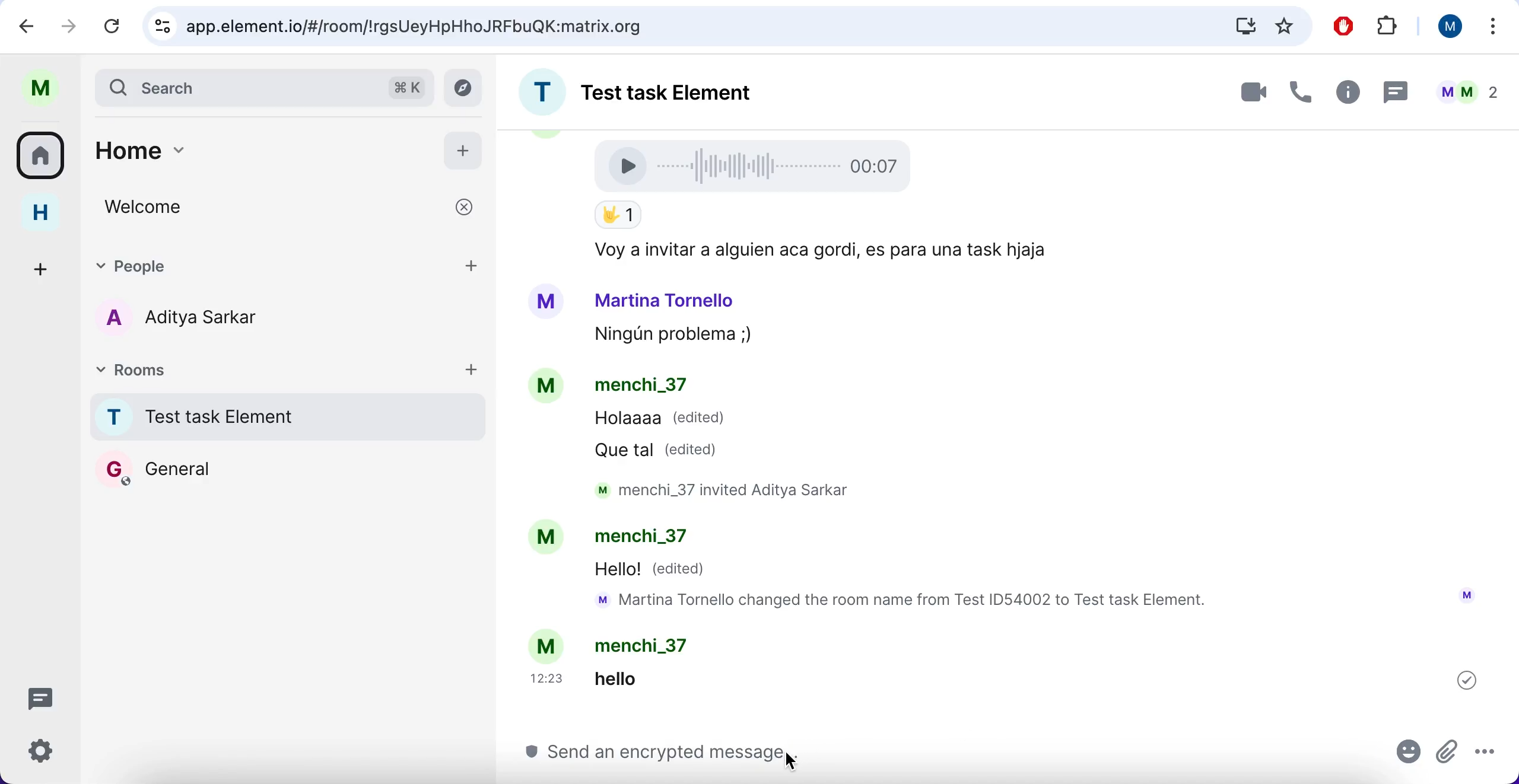 This screenshot has width=1519, height=784. Describe the element at coordinates (1494, 29) in the screenshot. I see `more options` at that location.